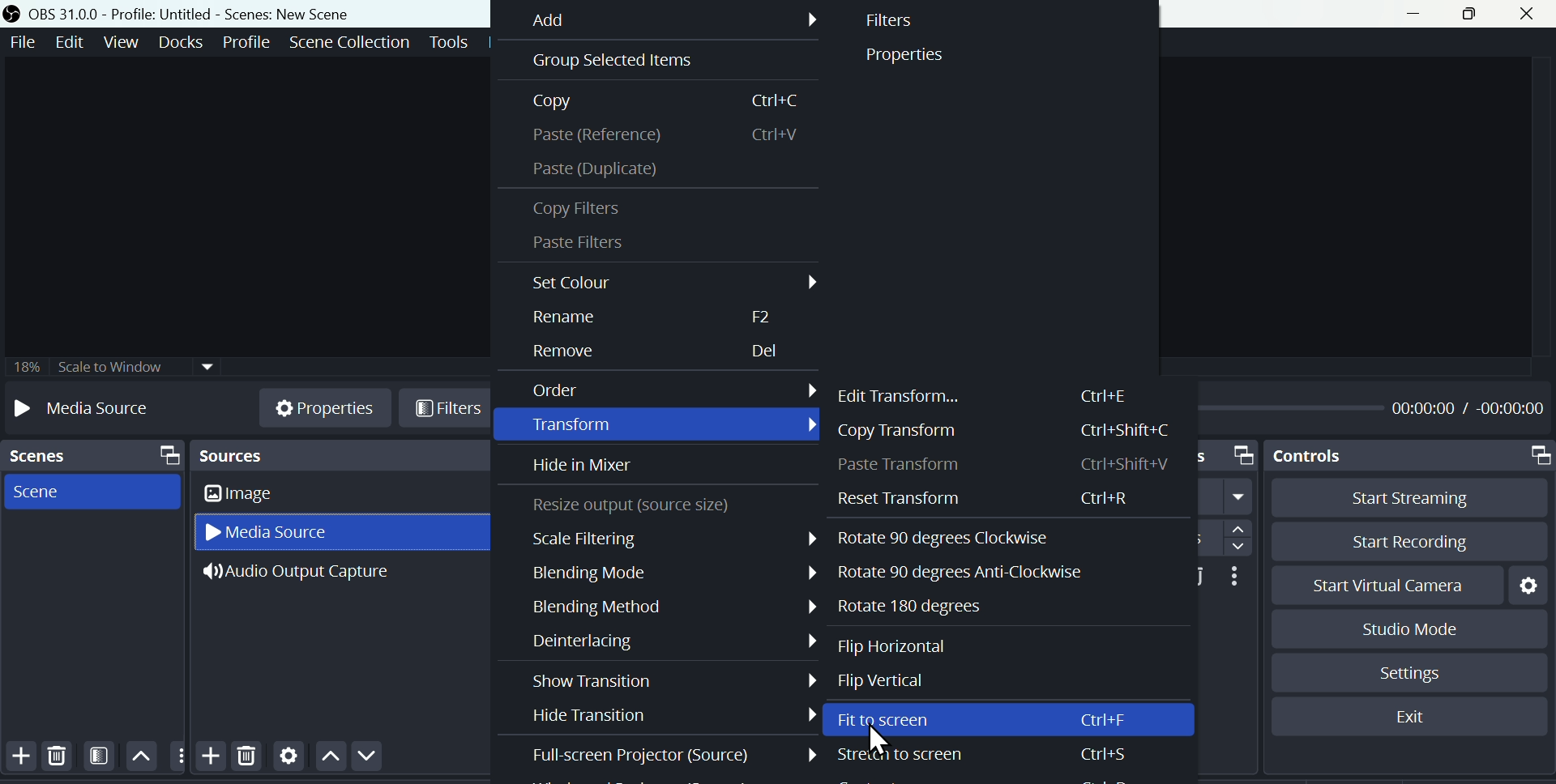 This screenshot has height=784, width=1556. What do you see at coordinates (448, 41) in the screenshot?
I see `Tools` at bounding box center [448, 41].